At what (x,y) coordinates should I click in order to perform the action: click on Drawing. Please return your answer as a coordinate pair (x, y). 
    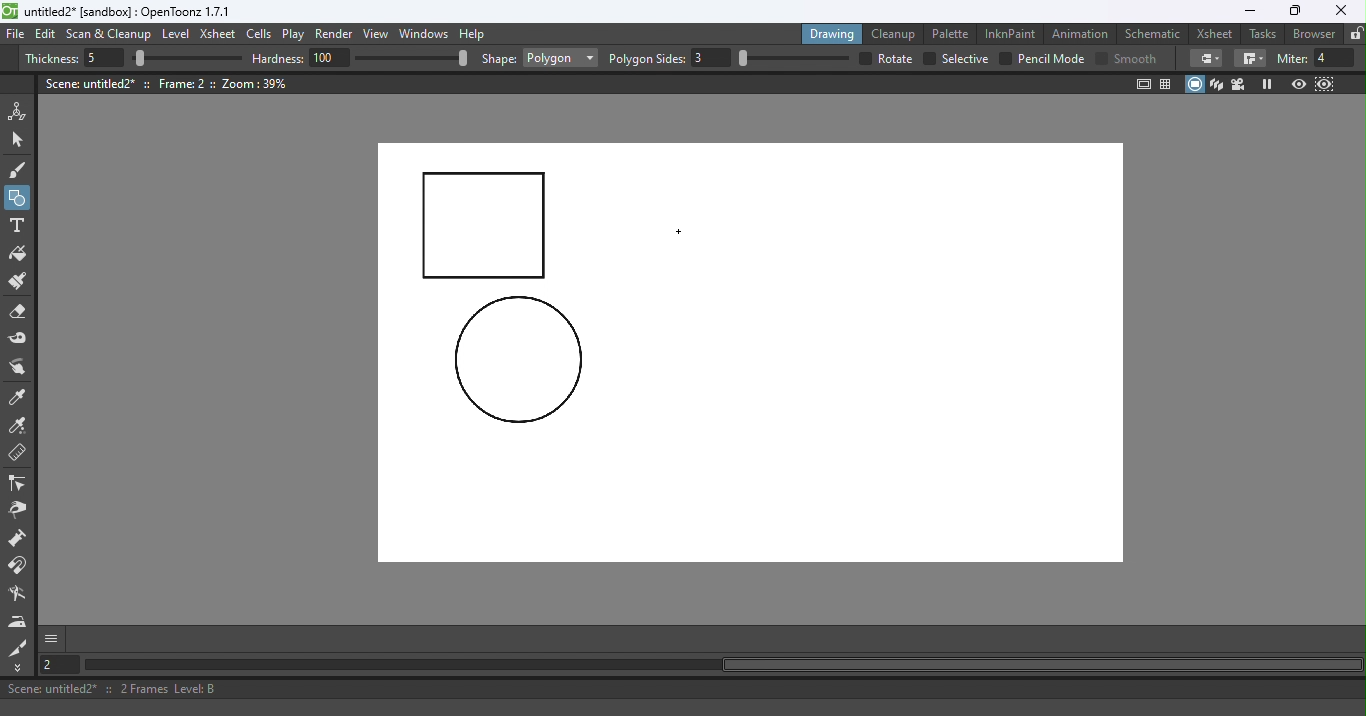
    Looking at the image, I should click on (834, 33).